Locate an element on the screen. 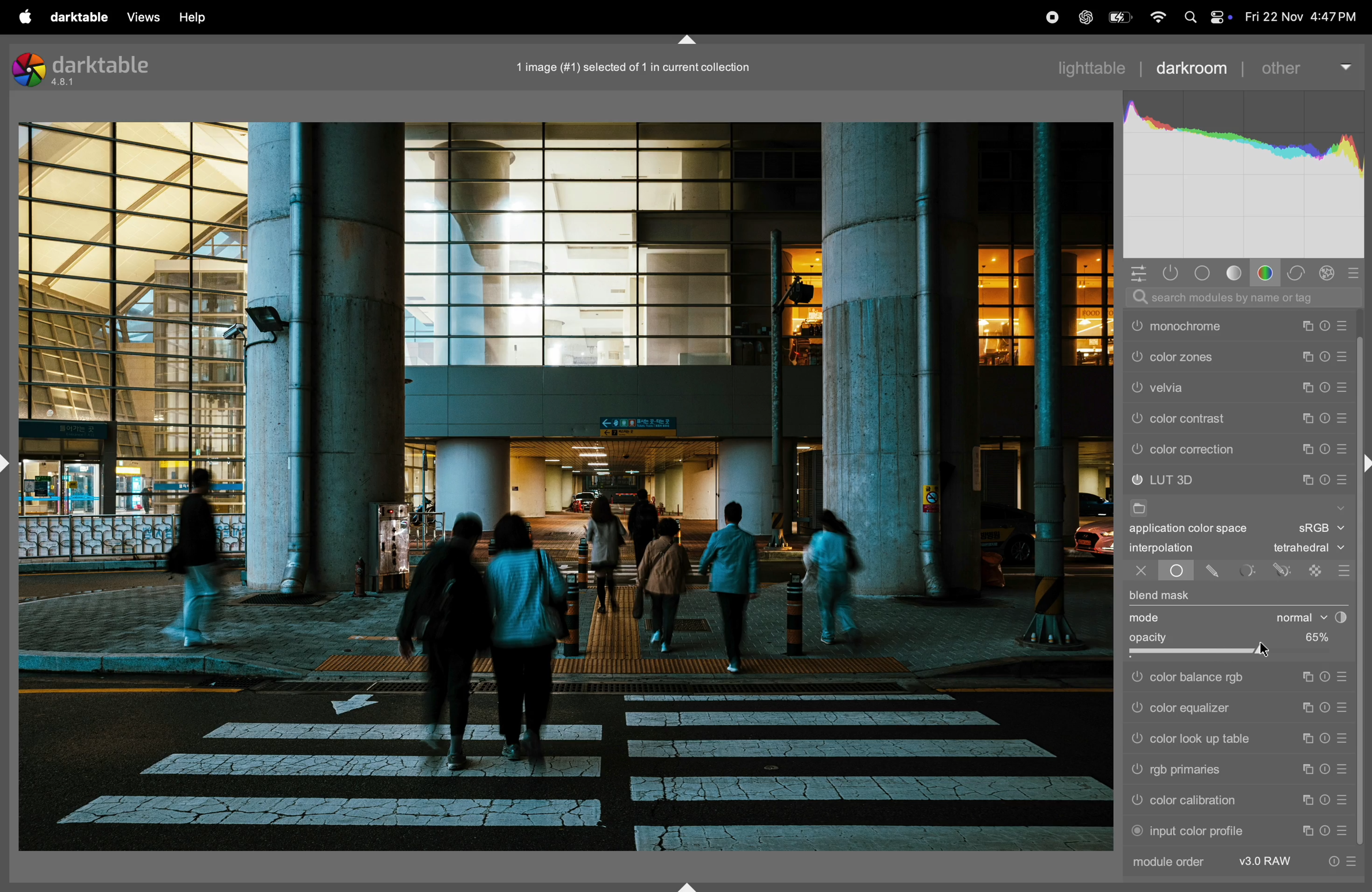 Image resolution: width=1372 pixels, height=892 pixels. multiple intance actions is located at coordinates (1308, 414).